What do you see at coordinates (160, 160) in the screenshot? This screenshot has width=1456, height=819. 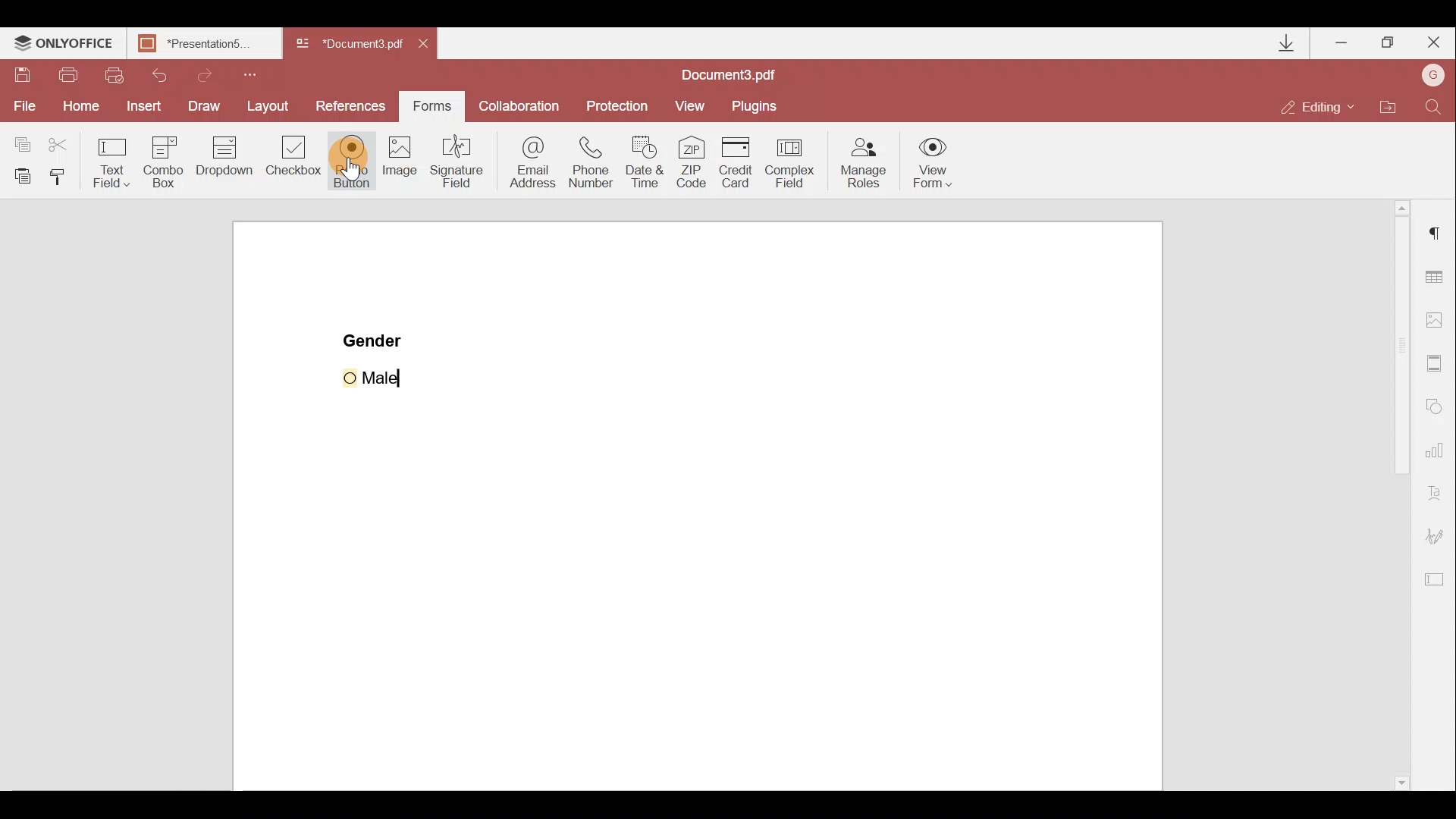 I see `Combo box` at bounding box center [160, 160].